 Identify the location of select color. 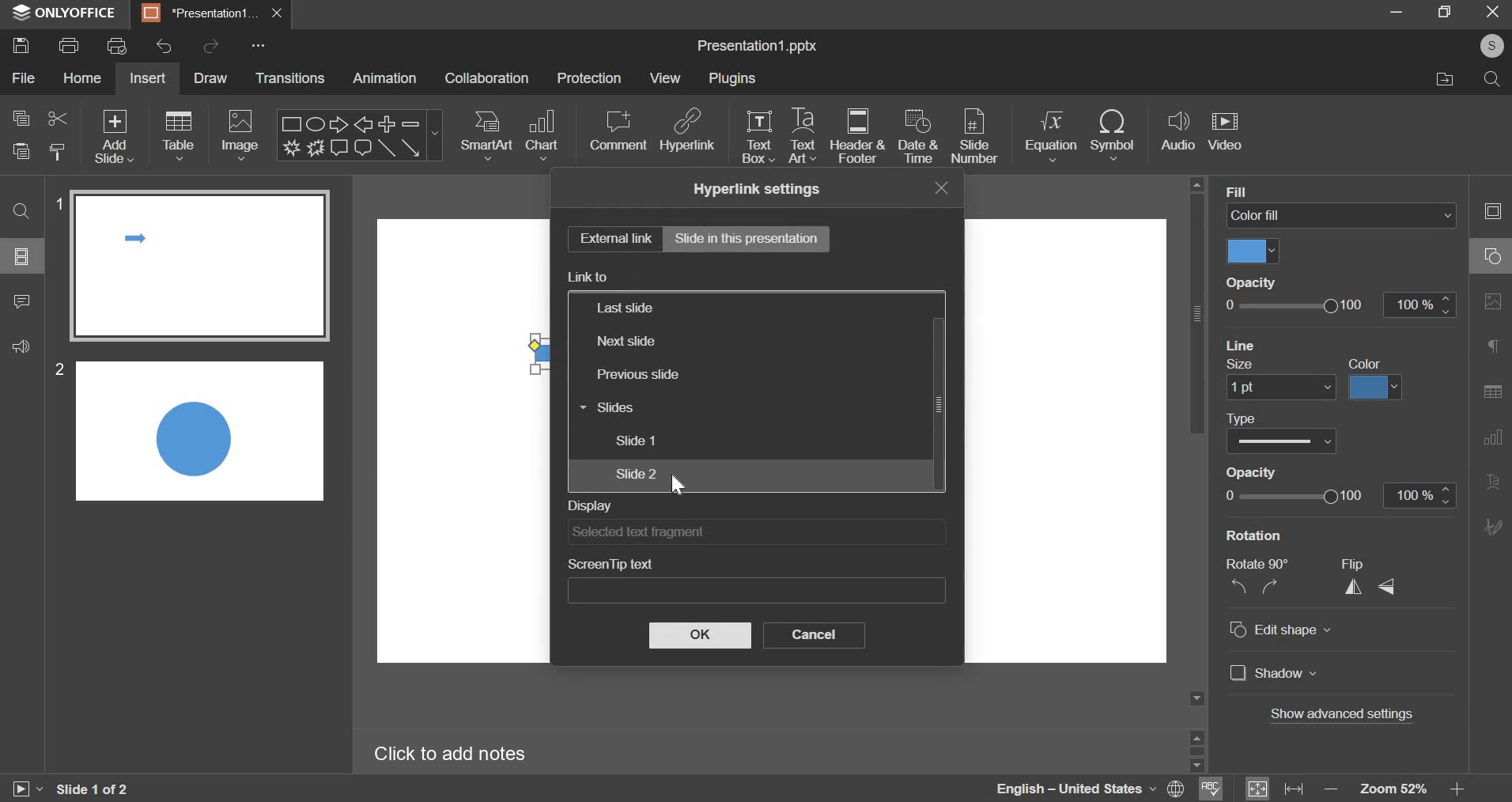
(1377, 388).